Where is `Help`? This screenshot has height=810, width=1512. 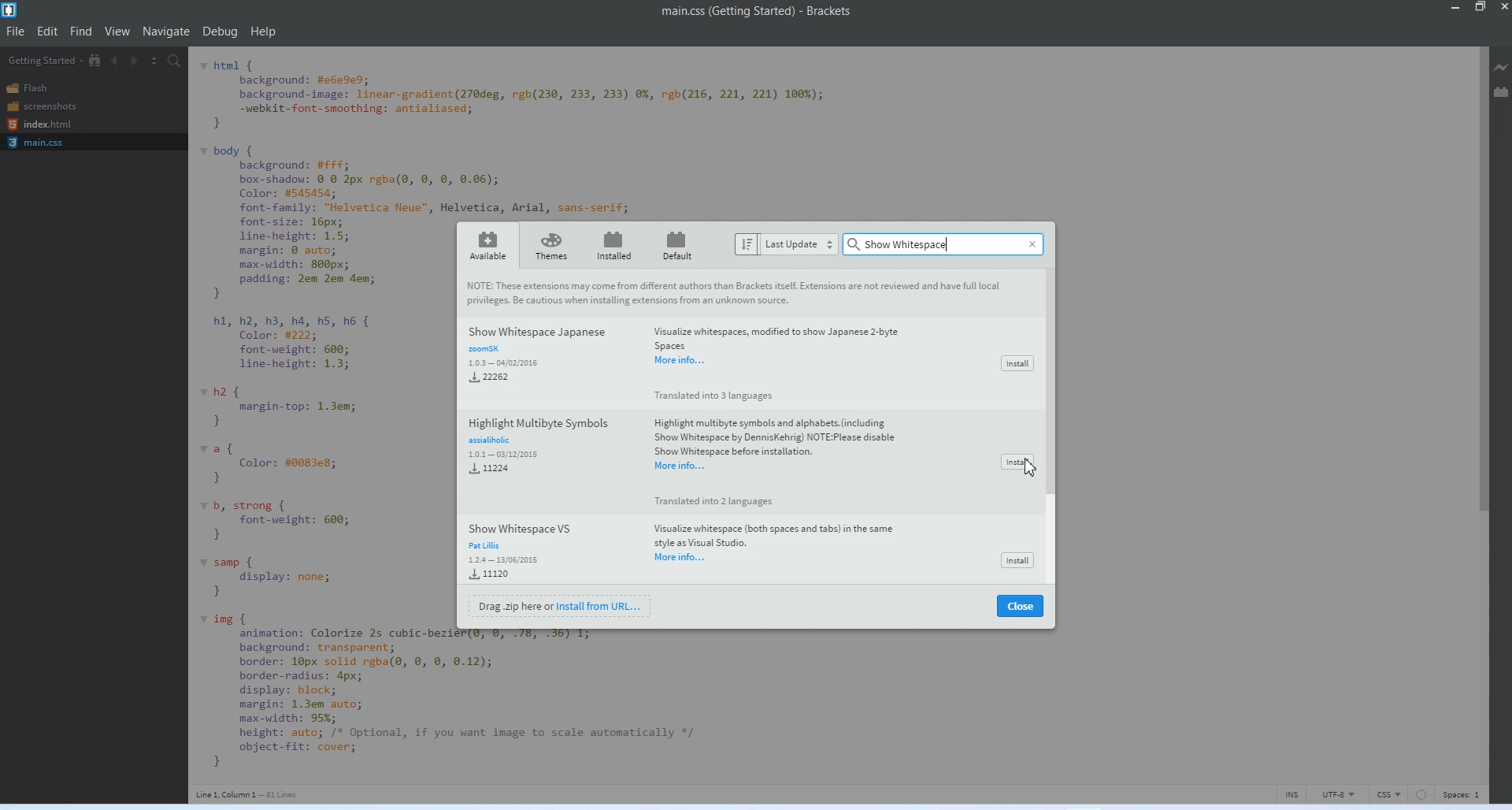 Help is located at coordinates (265, 32).